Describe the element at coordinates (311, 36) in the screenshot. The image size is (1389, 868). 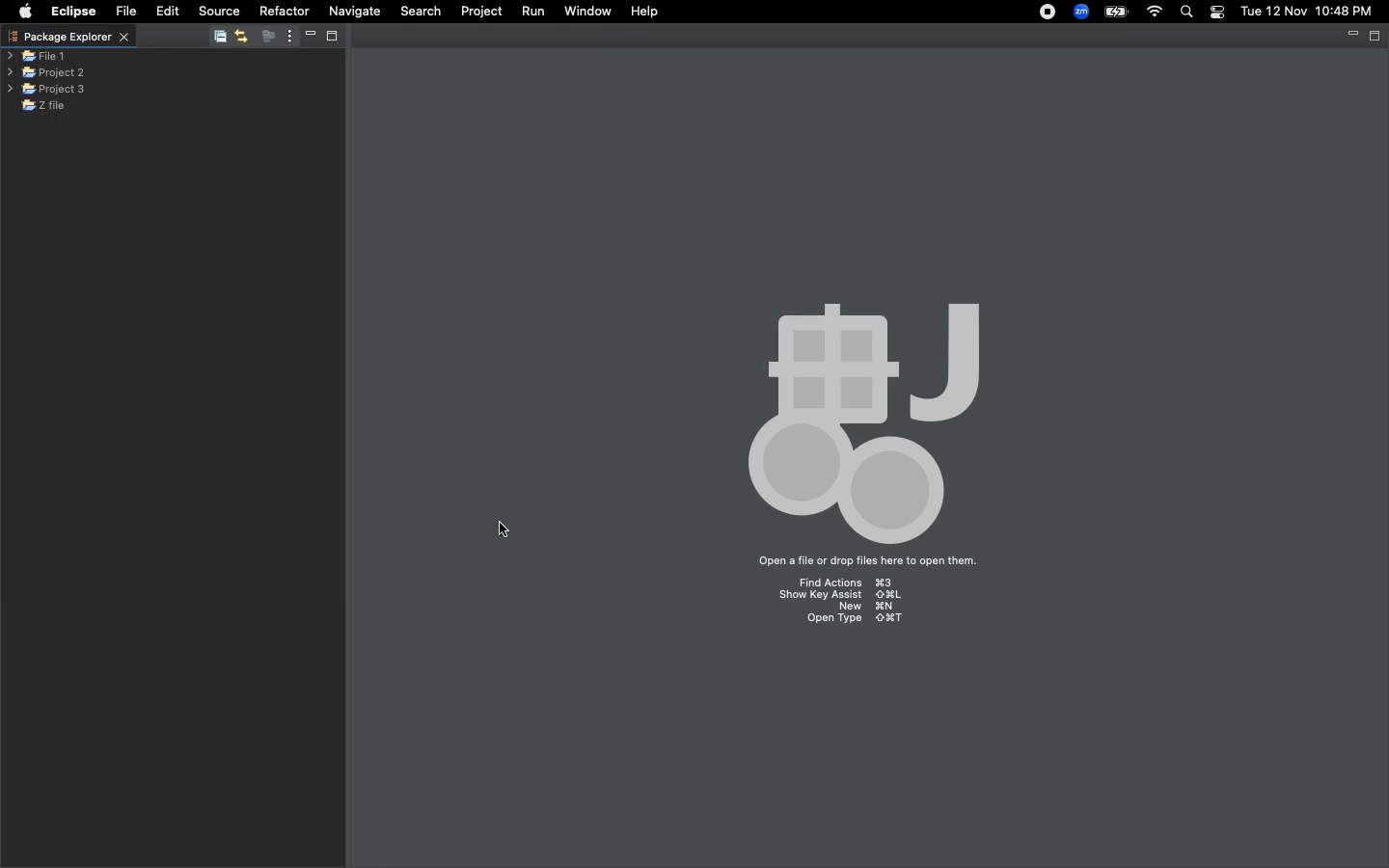
I see `Minimize` at that location.